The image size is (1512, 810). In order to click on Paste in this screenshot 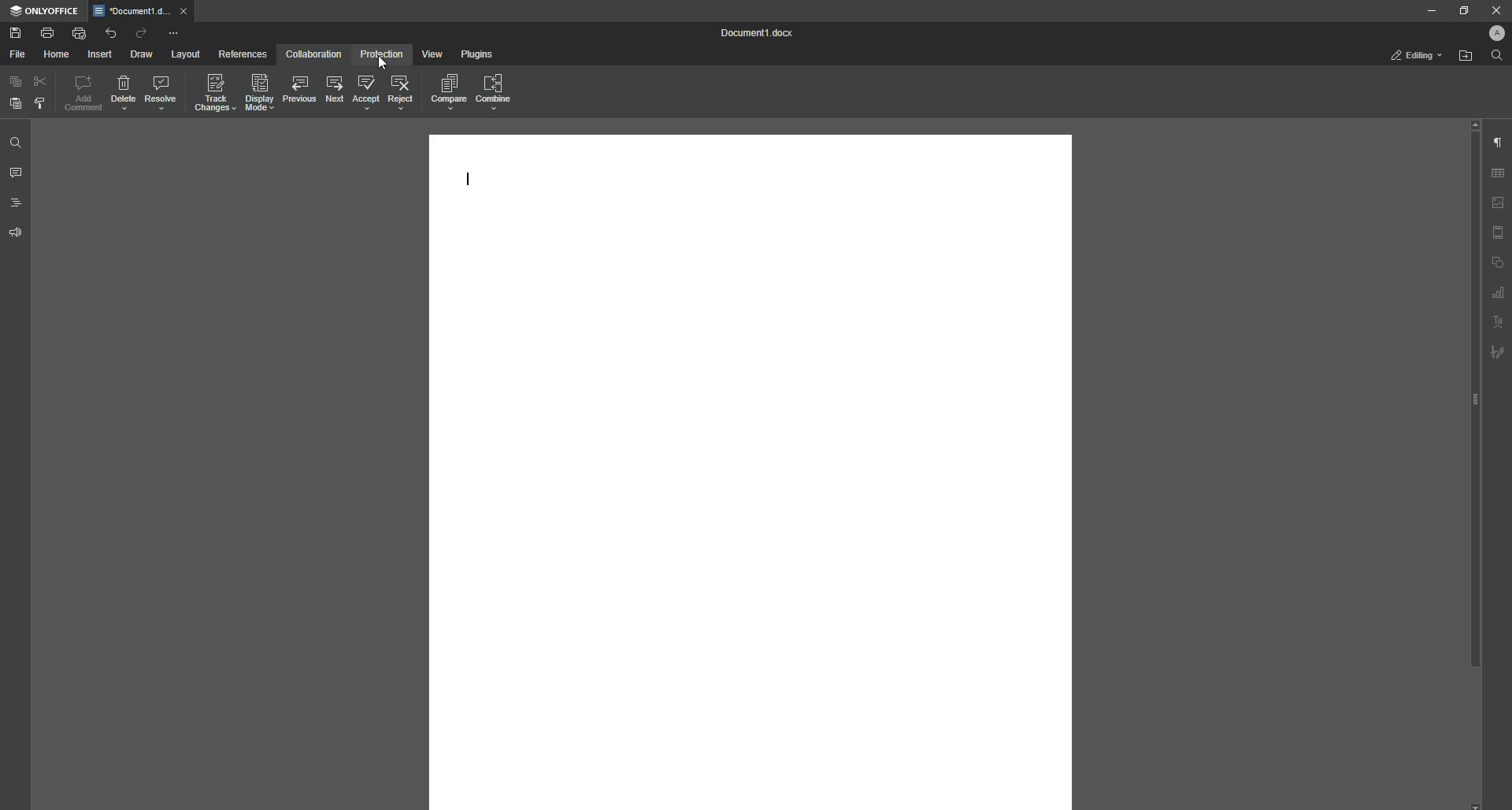, I will do `click(13, 84)`.